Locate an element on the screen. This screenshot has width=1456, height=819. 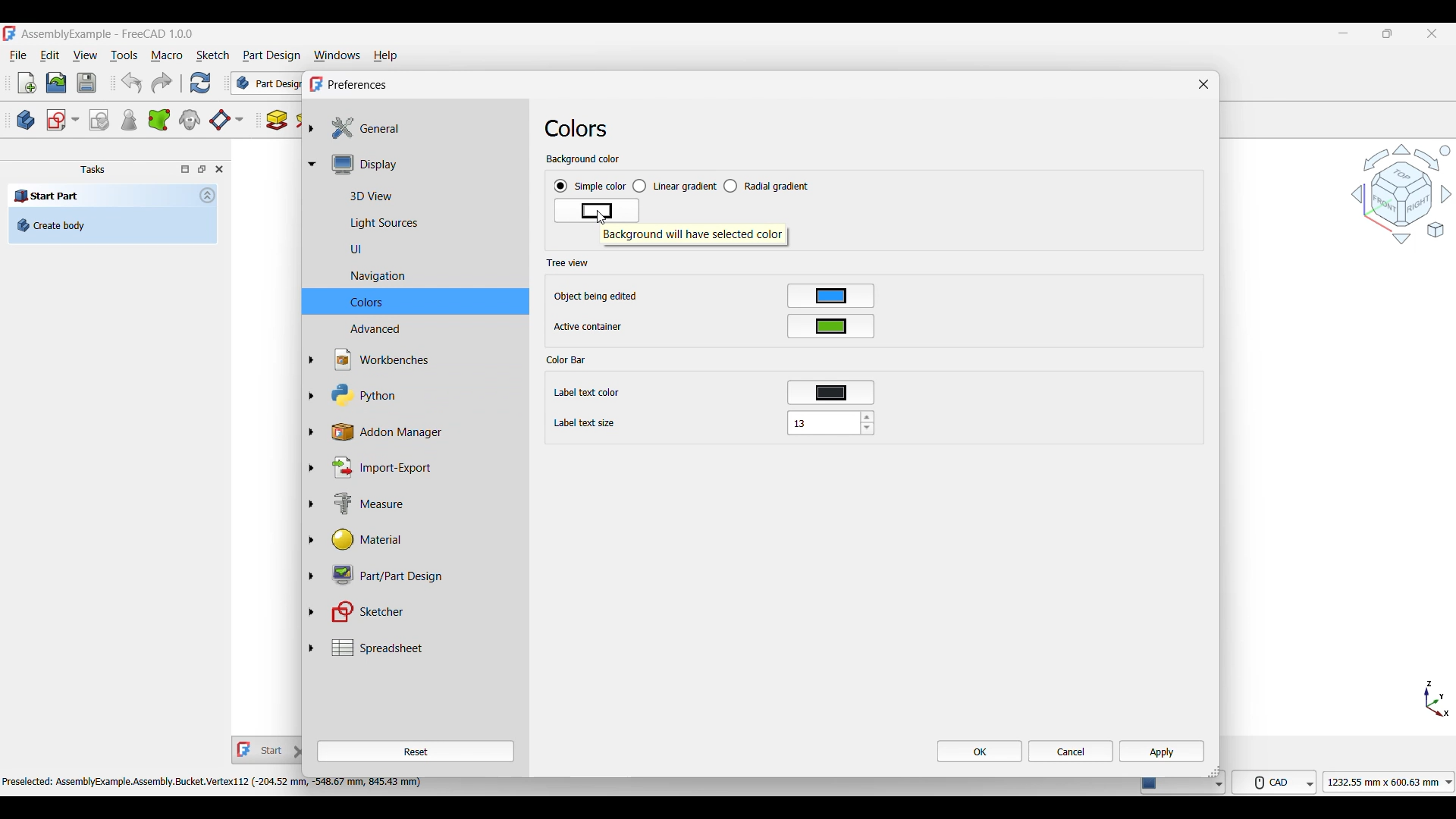
File menu is located at coordinates (18, 56).